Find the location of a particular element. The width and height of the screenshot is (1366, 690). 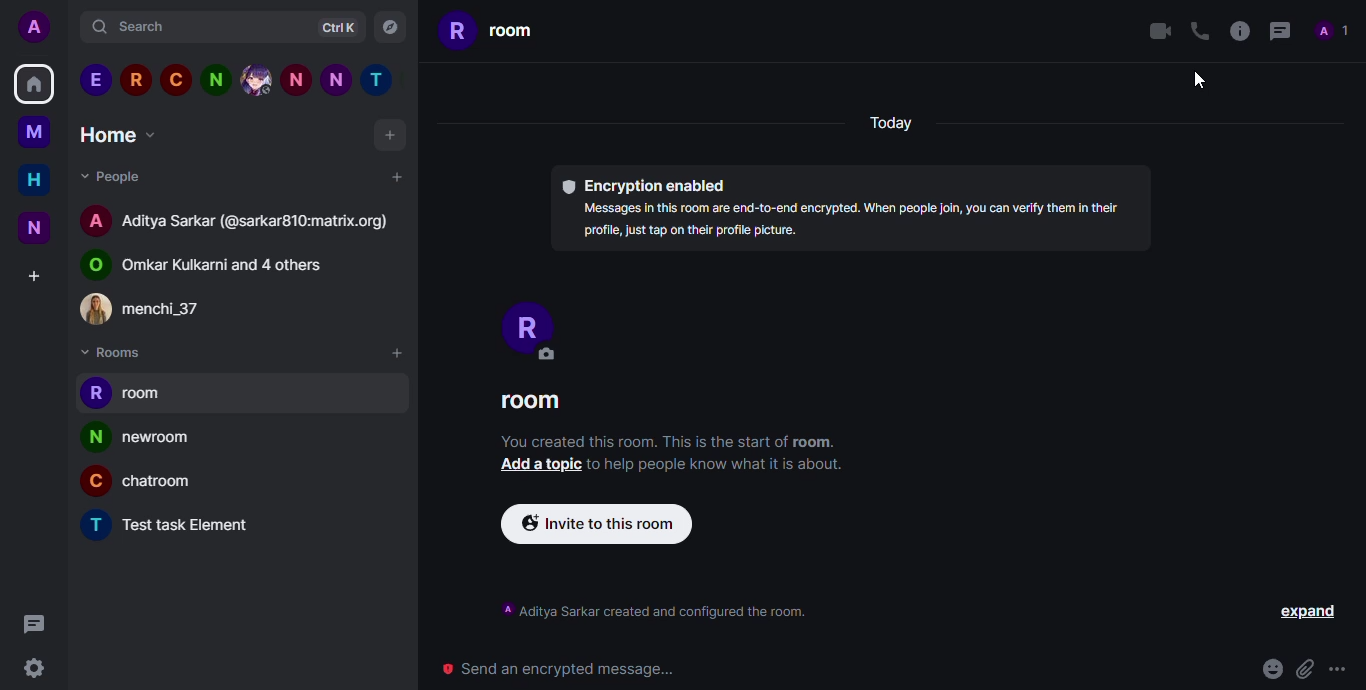

Invite to this room button is located at coordinates (602, 526).